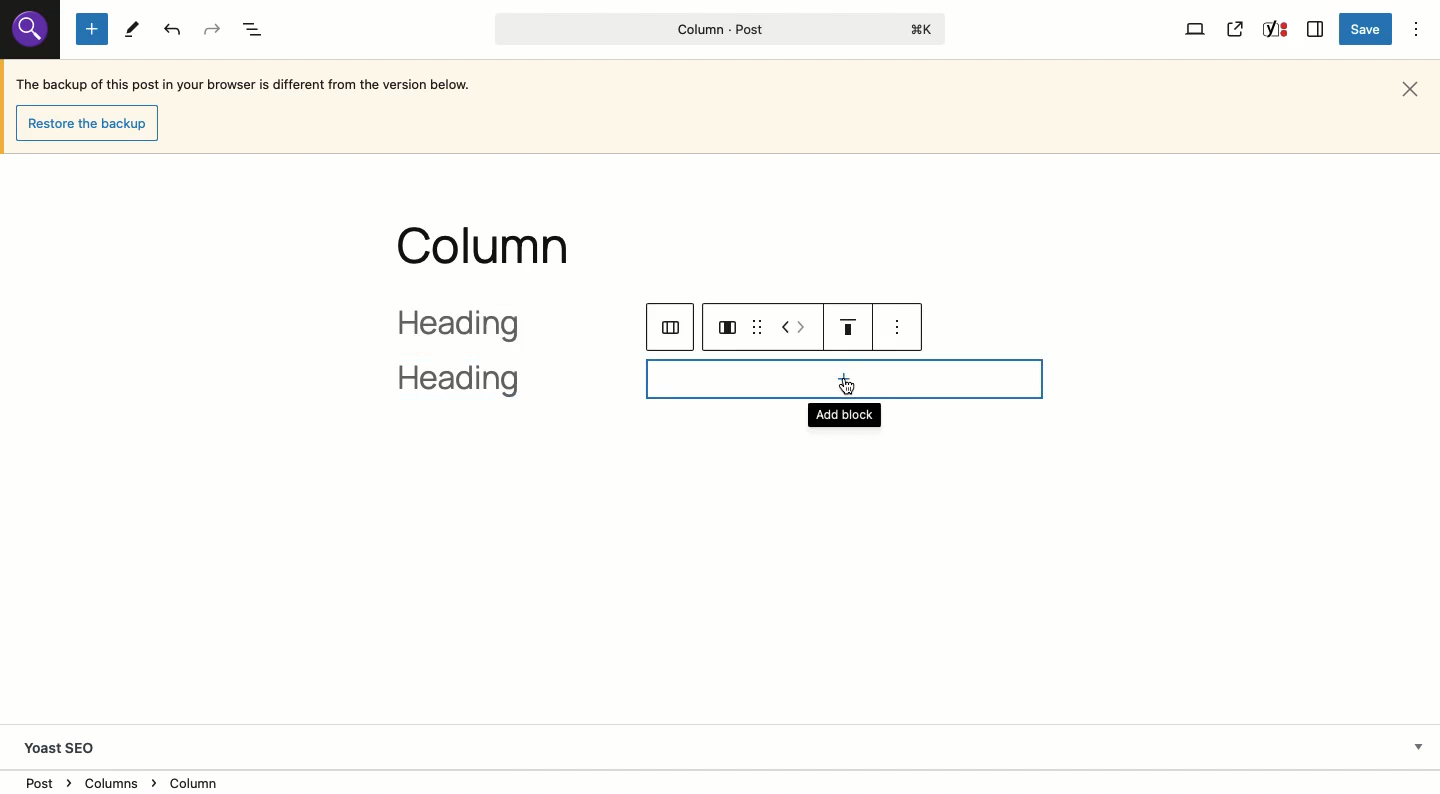  I want to click on , so click(27, 30).